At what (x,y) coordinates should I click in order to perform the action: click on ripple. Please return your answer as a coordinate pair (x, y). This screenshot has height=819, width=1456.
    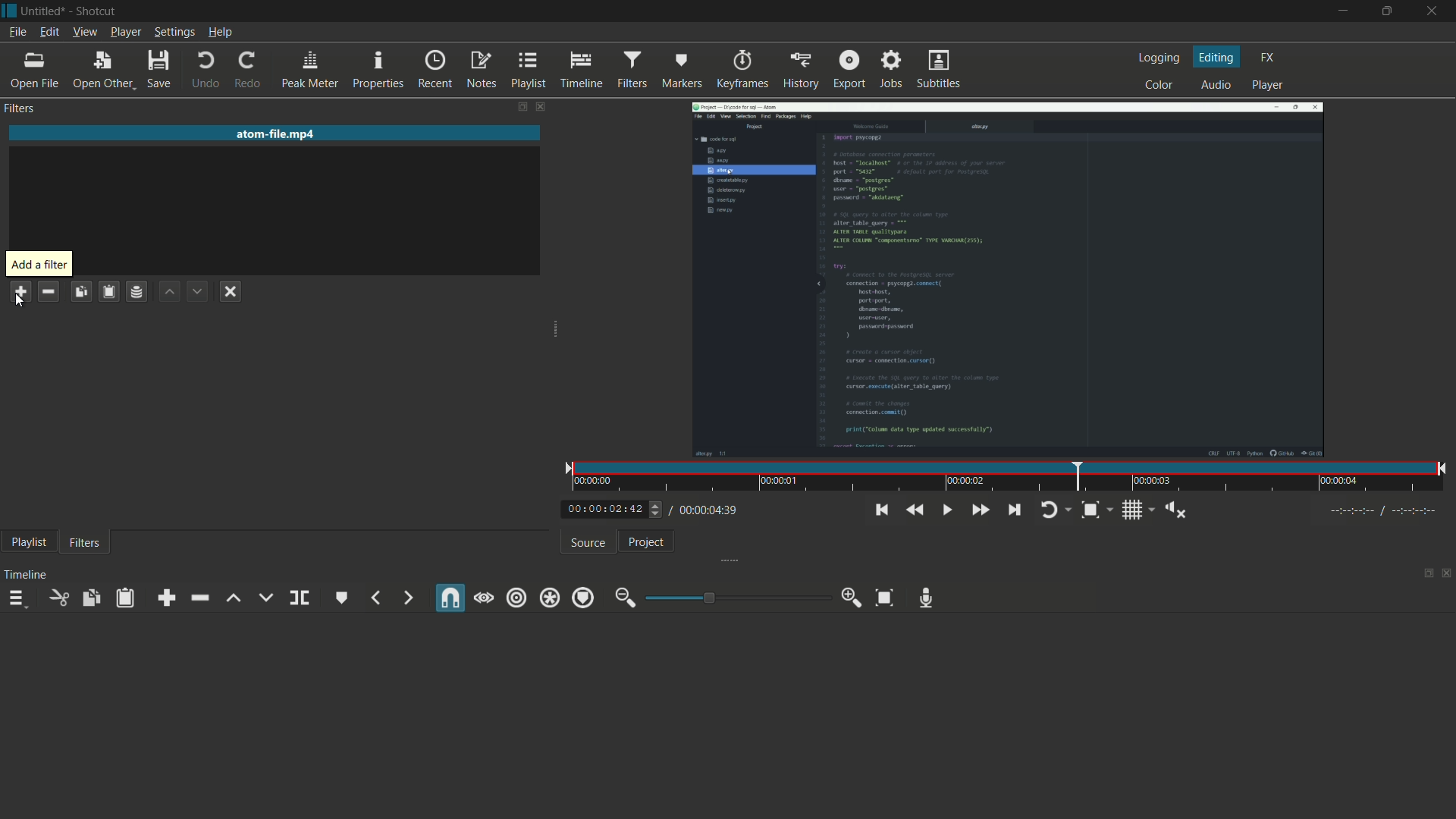
    Looking at the image, I should click on (516, 597).